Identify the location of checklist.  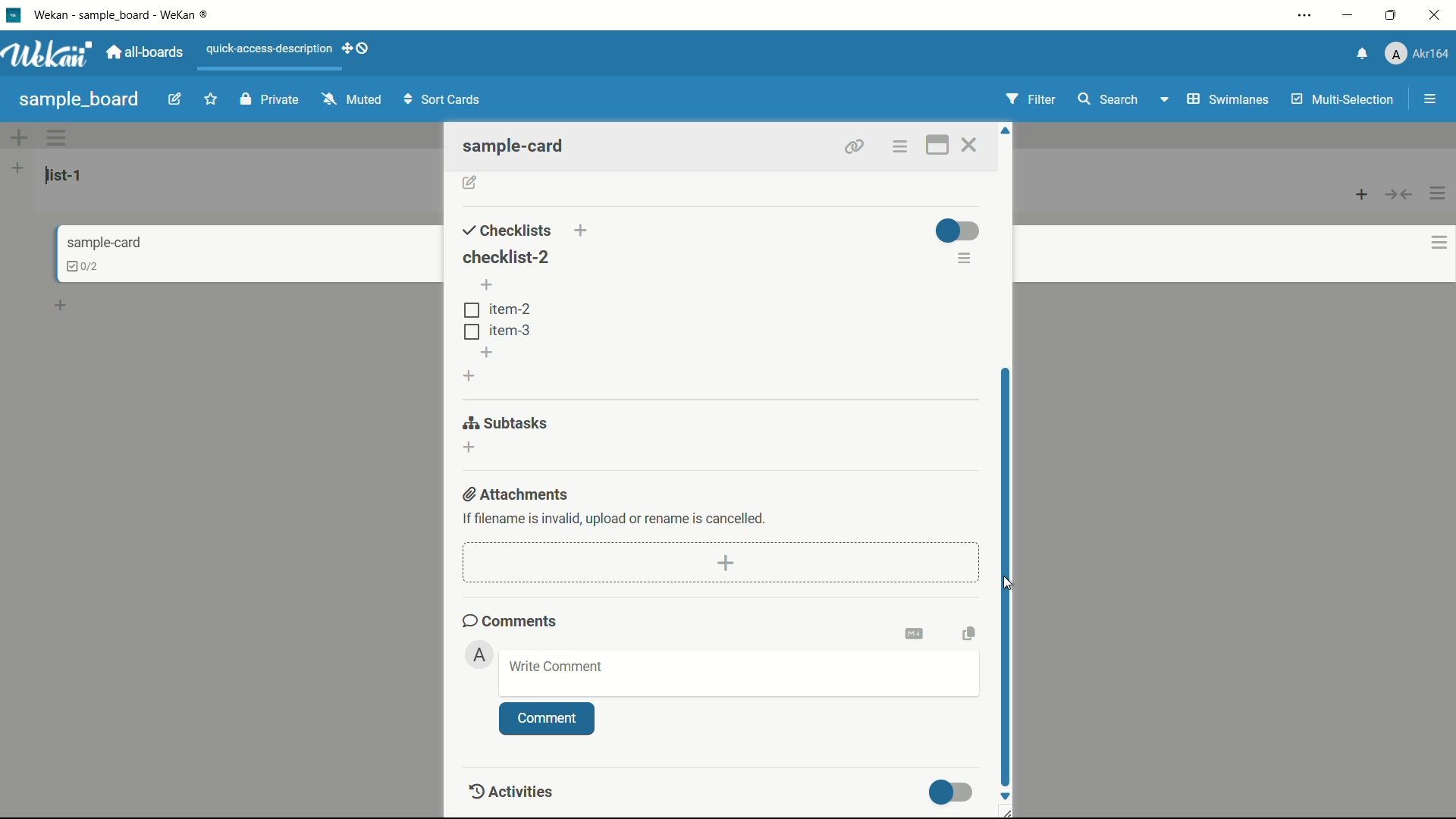
(74, 265).